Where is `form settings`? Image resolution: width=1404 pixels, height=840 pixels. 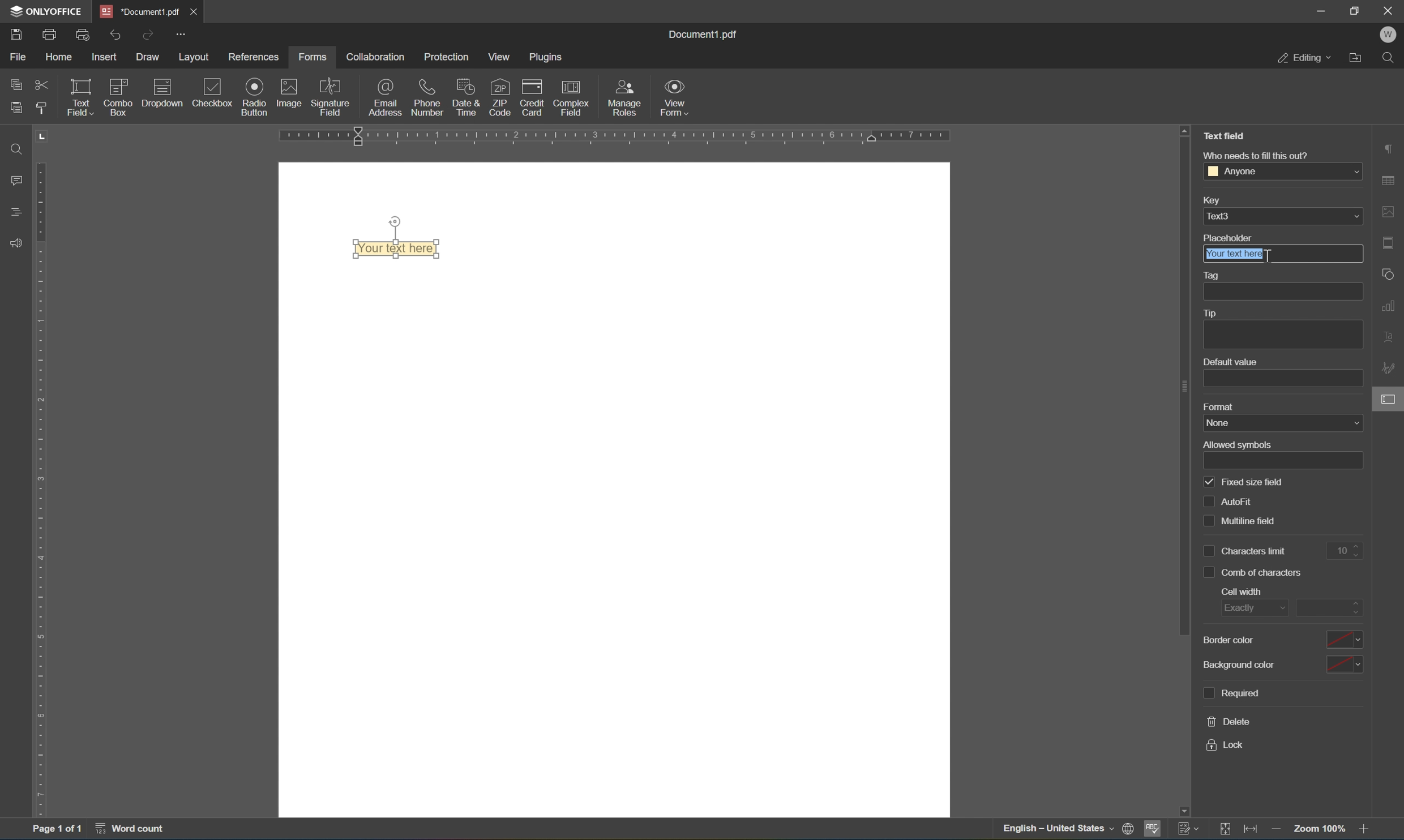 form settings is located at coordinates (1340, 421).